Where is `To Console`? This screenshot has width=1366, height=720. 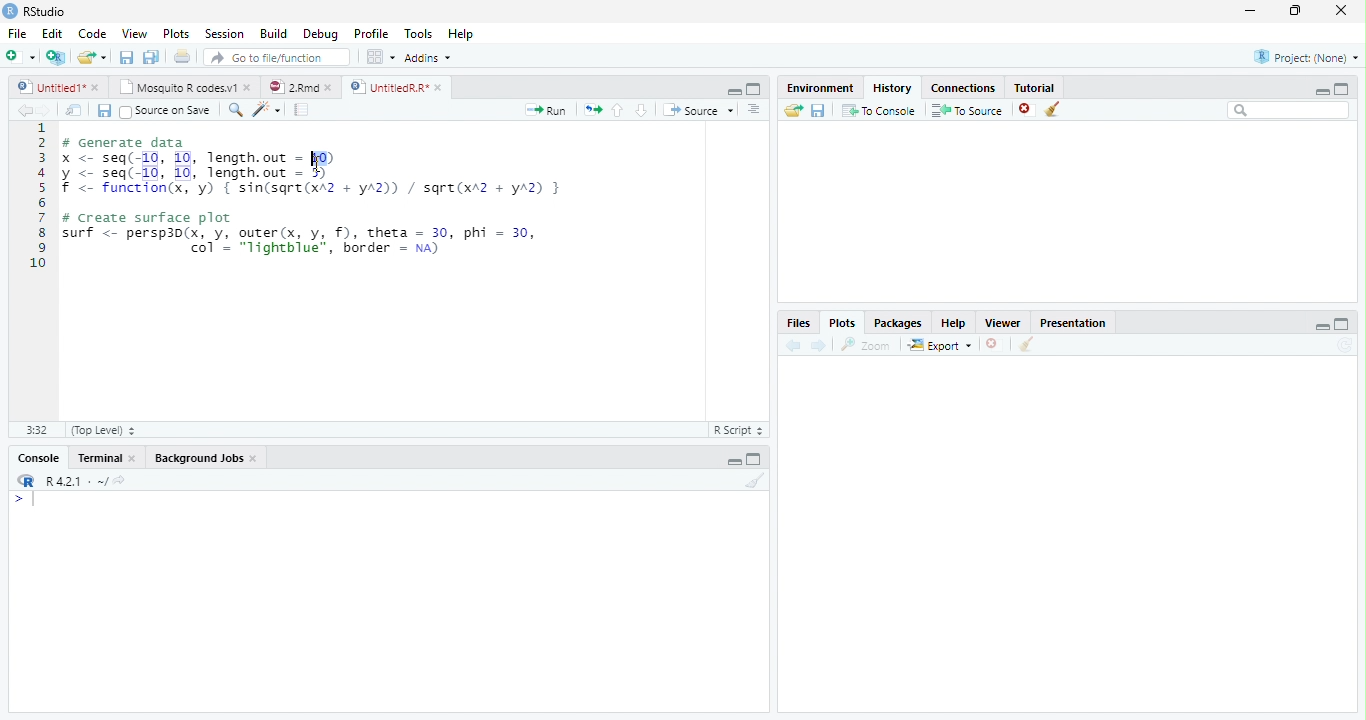
To Console is located at coordinates (879, 110).